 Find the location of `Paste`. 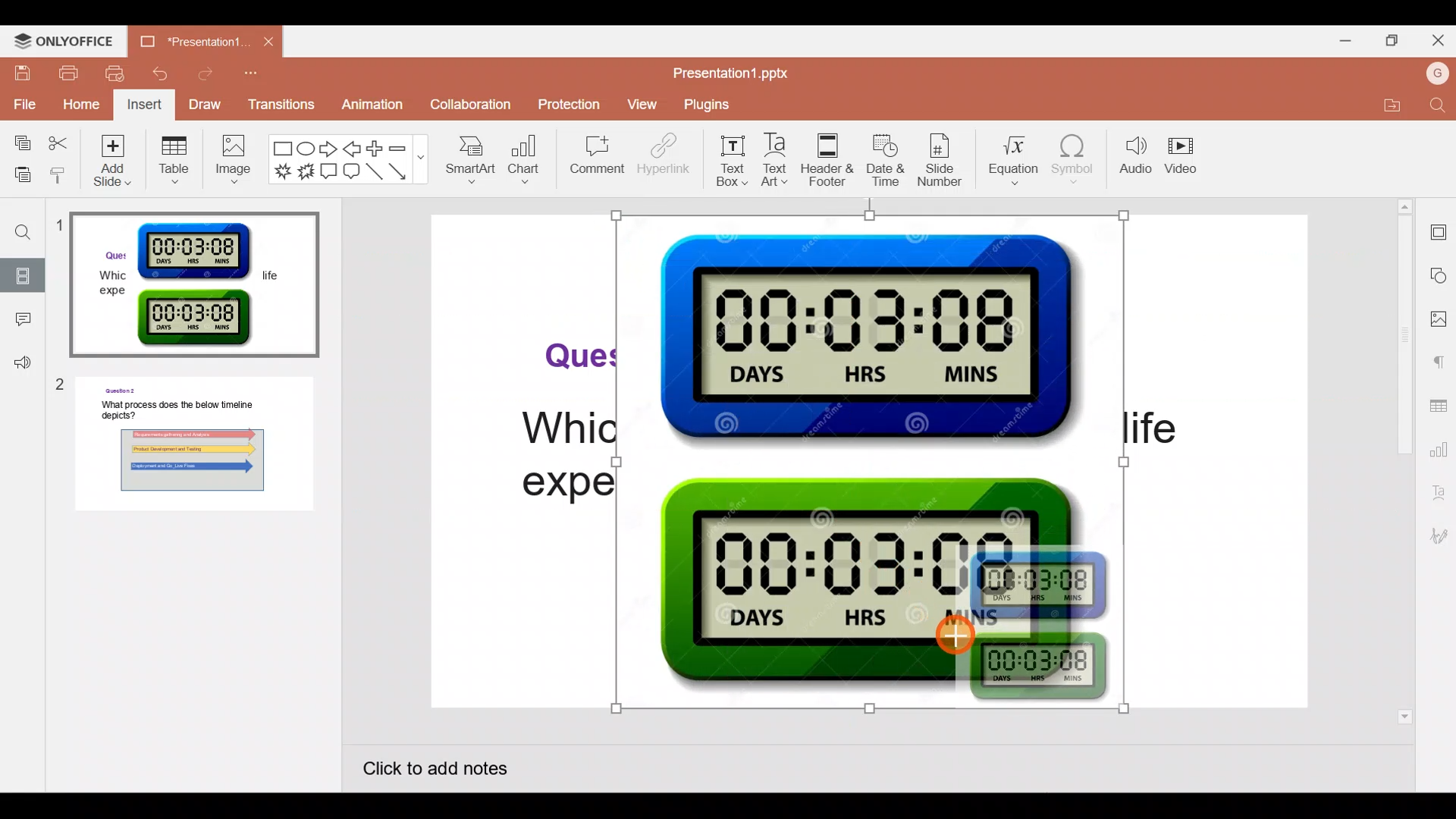

Paste is located at coordinates (19, 171).